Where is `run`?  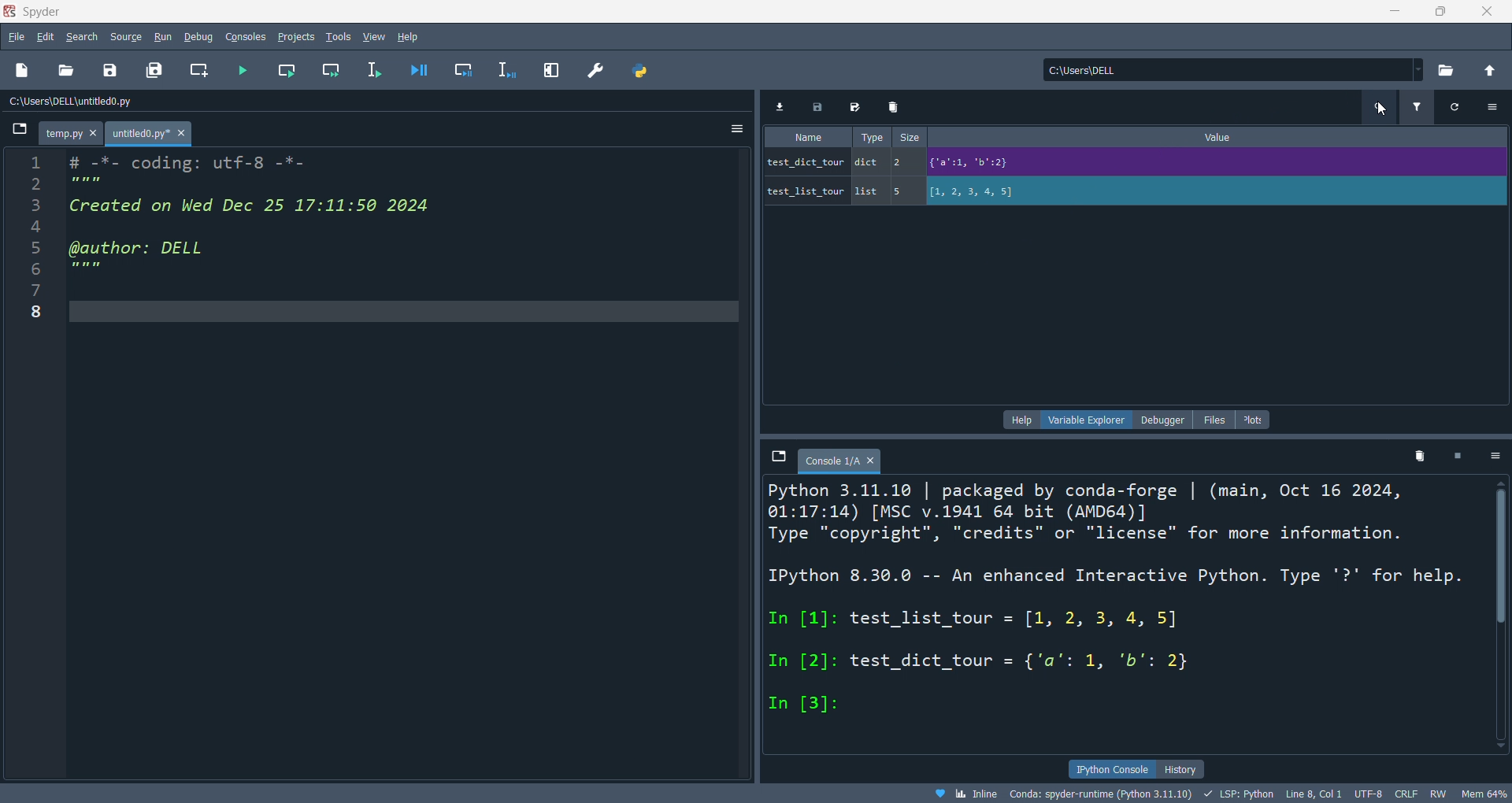 run is located at coordinates (164, 35).